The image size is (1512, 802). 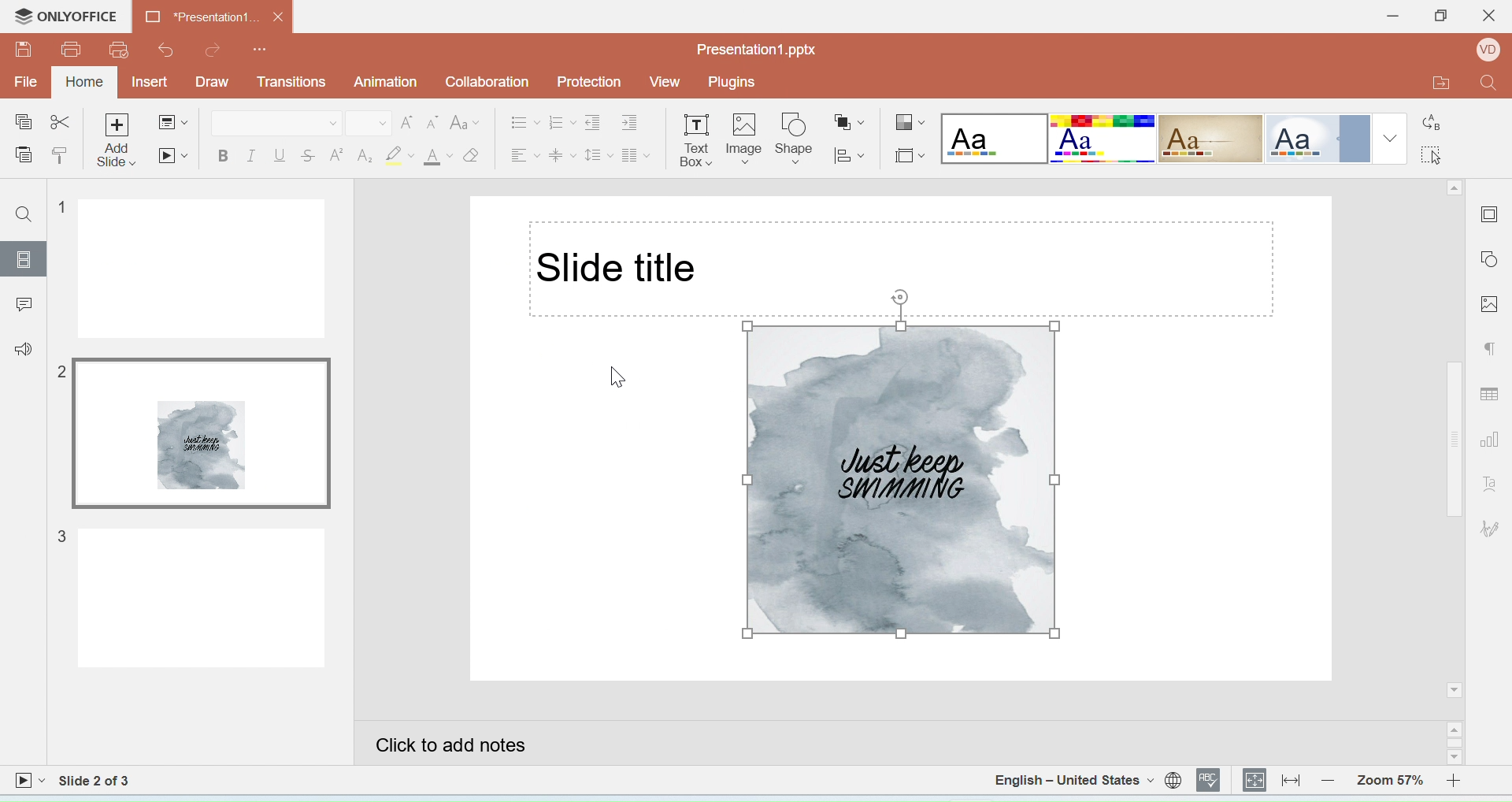 I want to click on Quick print, so click(x=119, y=51).